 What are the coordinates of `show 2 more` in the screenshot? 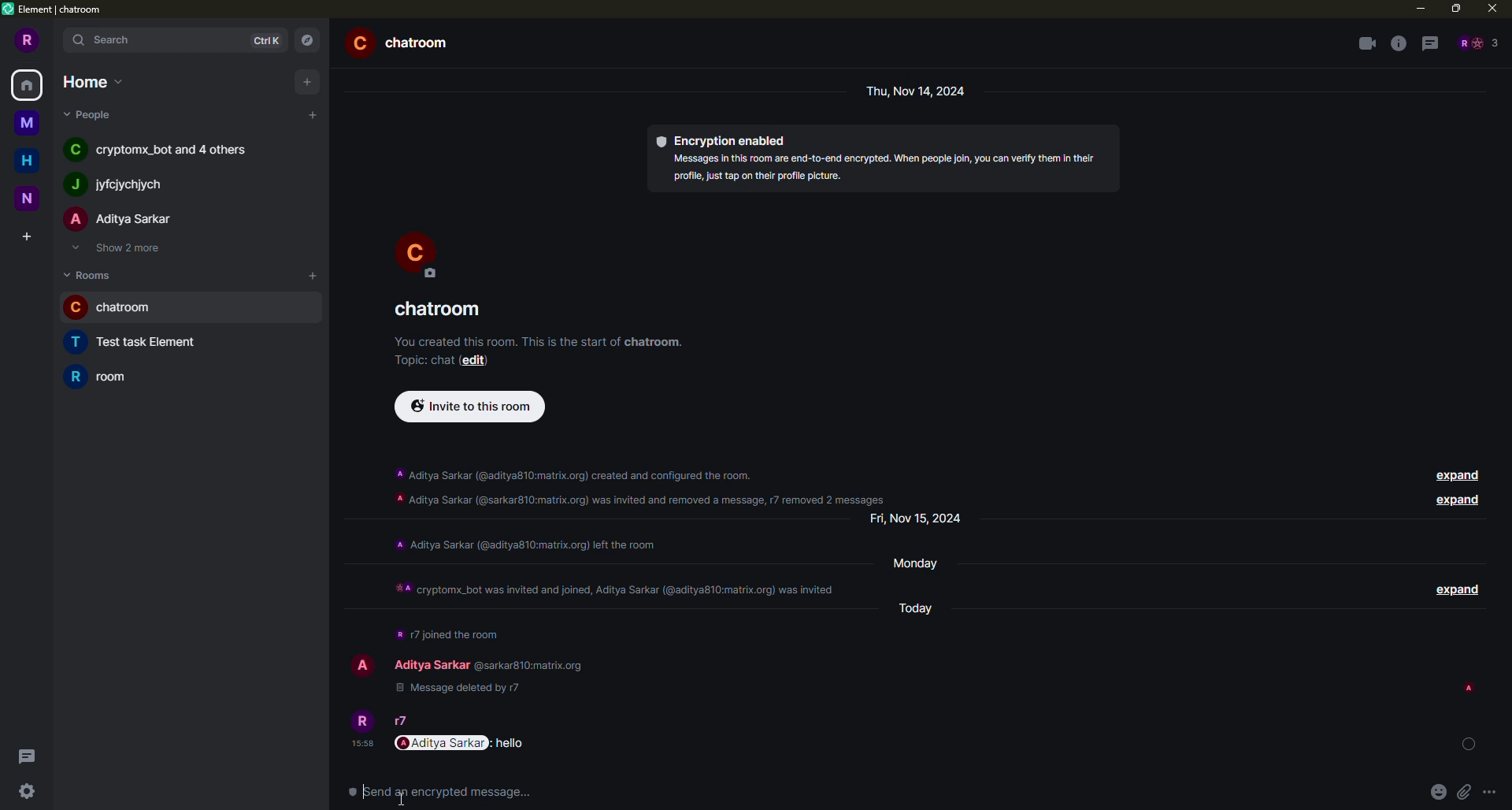 It's located at (123, 249).